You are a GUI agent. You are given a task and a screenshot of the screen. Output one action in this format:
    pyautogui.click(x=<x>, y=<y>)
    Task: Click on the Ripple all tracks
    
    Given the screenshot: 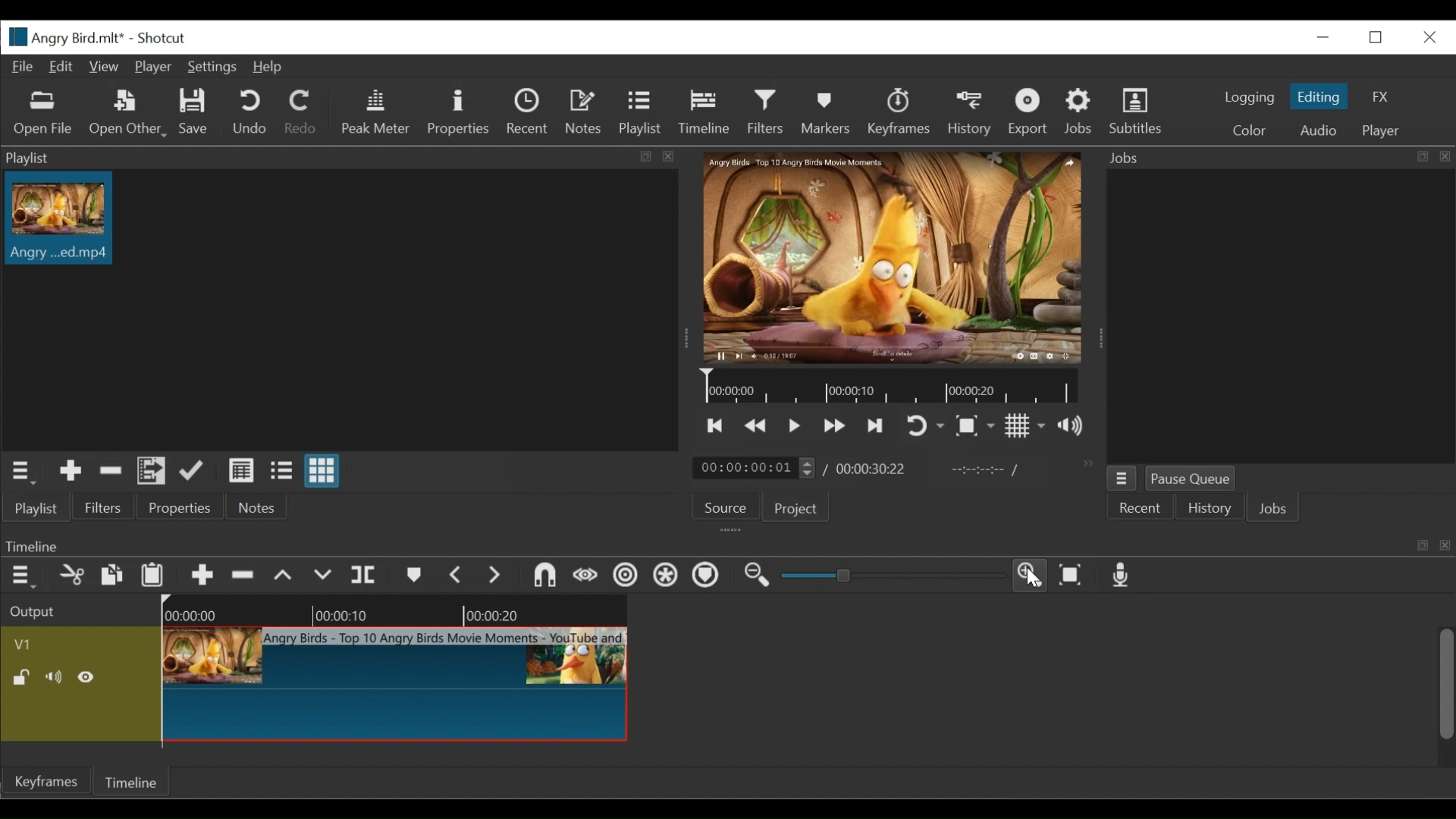 What is the action you would take?
    pyautogui.click(x=667, y=576)
    